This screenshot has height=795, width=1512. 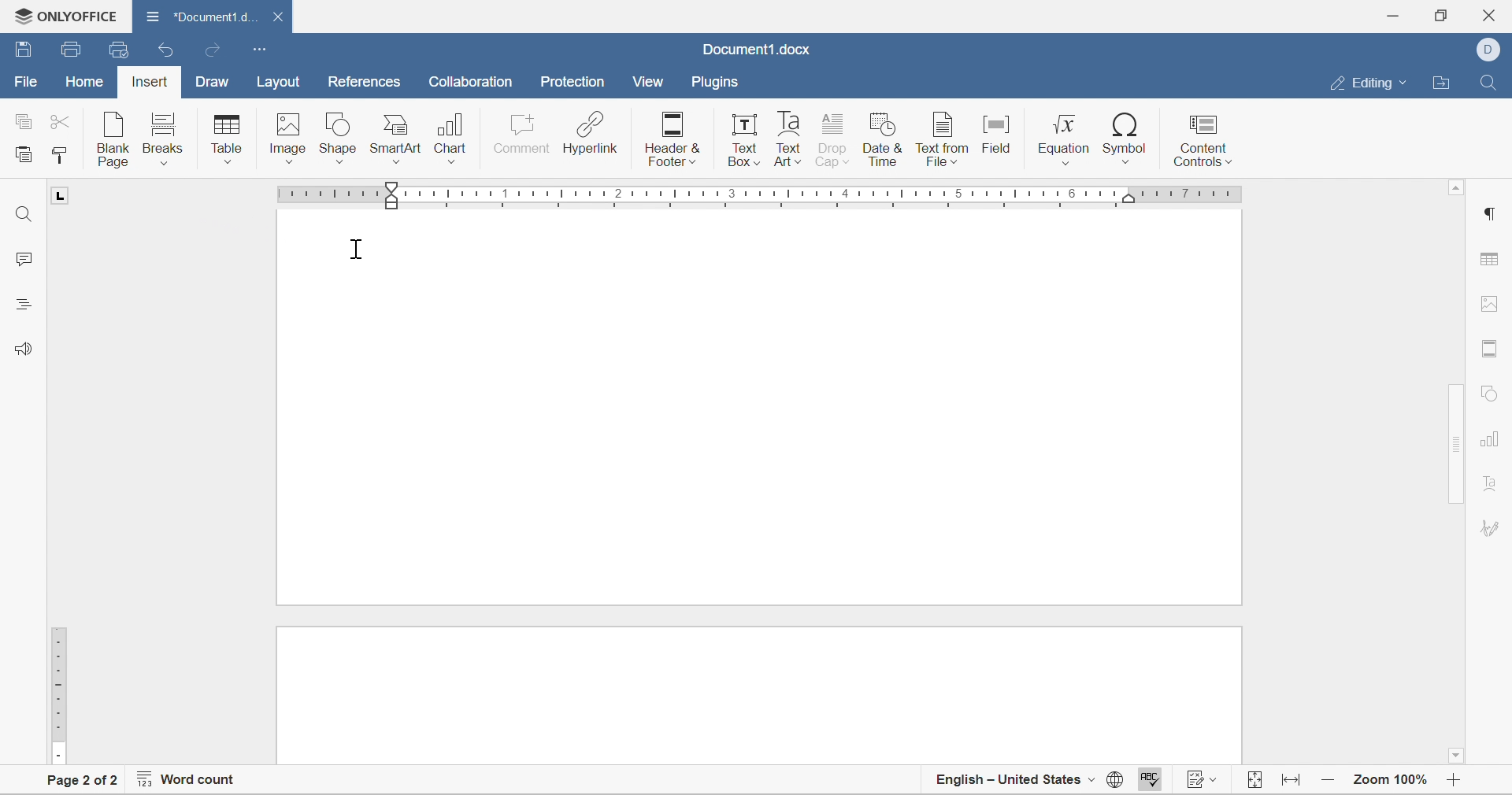 What do you see at coordinates (25, 259) in the screenshot?
I see `Comments` at bounding box center [25, 259].